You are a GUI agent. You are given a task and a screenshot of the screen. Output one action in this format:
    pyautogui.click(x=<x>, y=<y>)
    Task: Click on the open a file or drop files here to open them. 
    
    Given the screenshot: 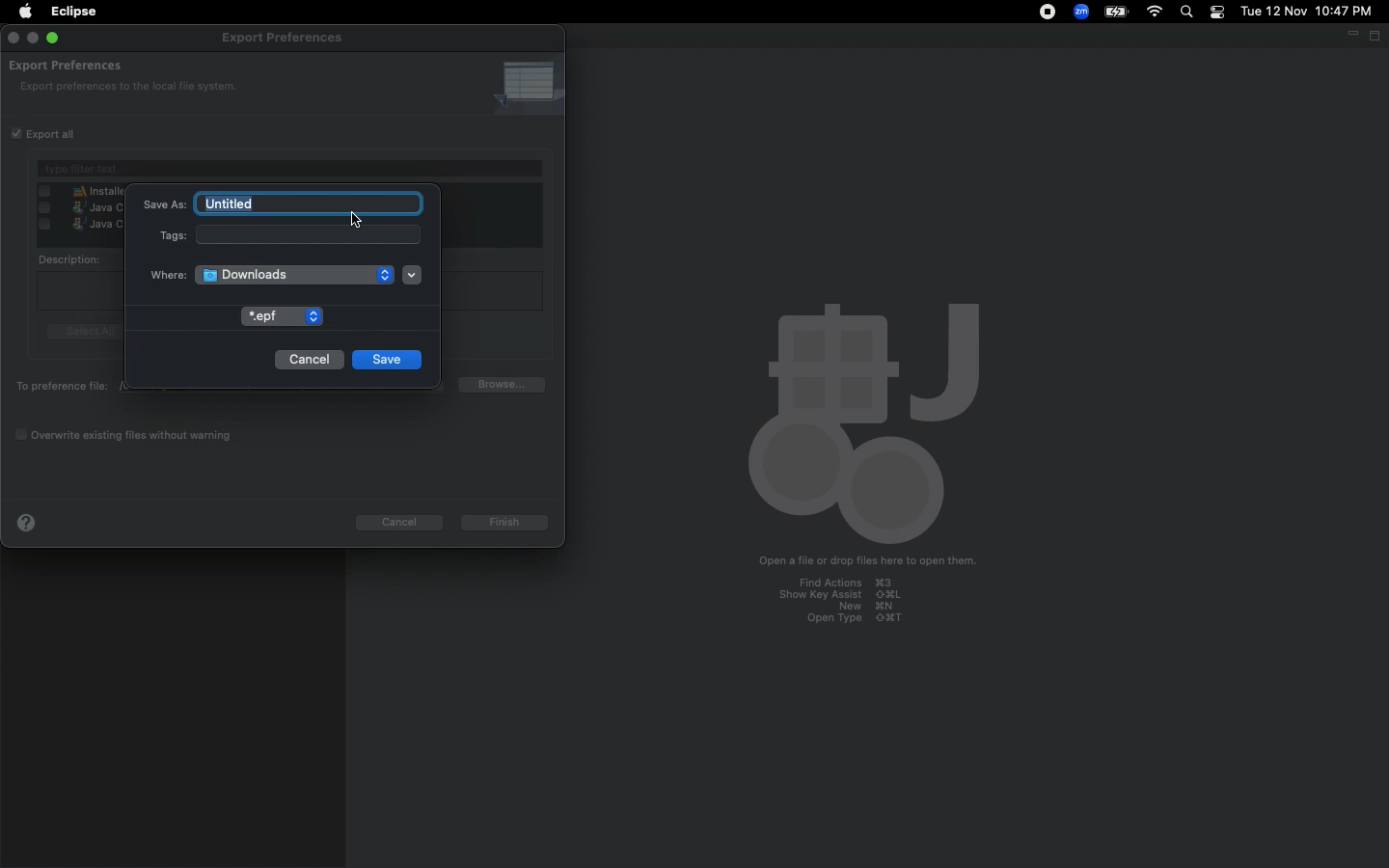 What is the action you would take?
    pyautogui.click(x=860, y=562)
    